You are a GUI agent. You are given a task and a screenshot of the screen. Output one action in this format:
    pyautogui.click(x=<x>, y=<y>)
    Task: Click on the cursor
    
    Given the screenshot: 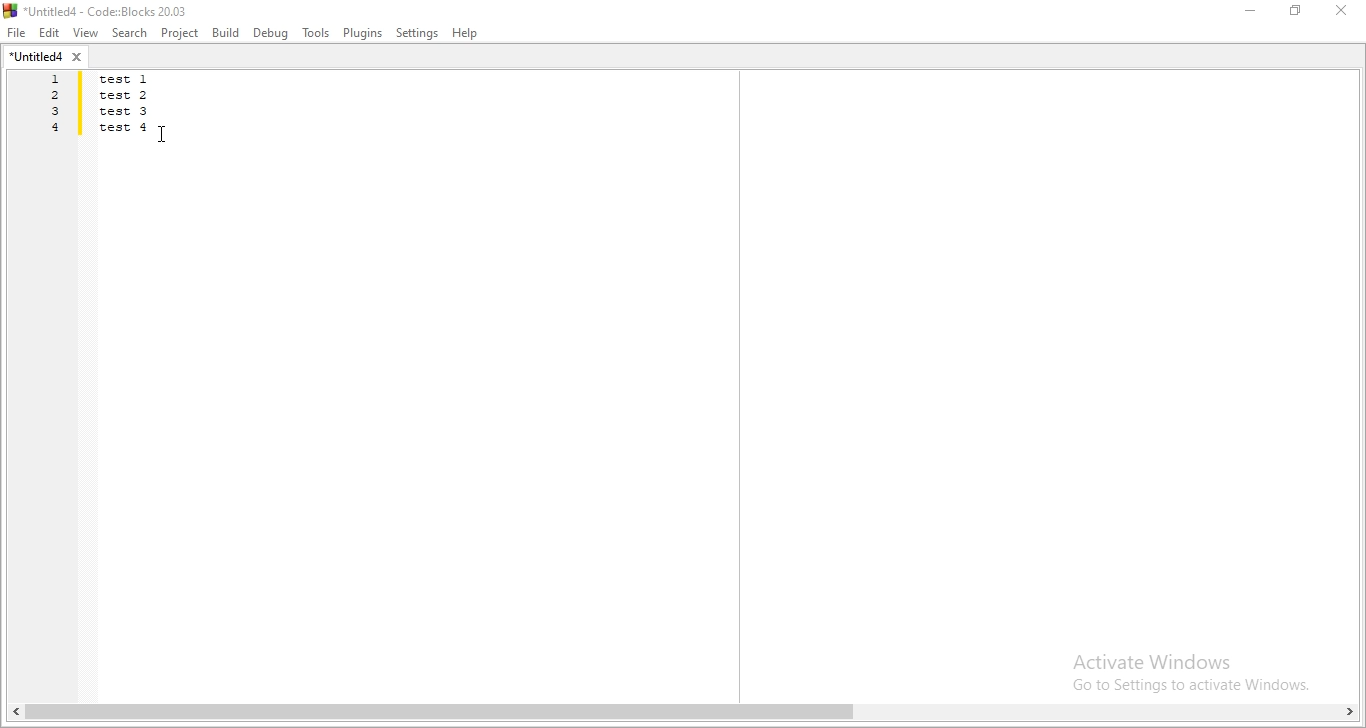 What is the action you would take?
    pyautogui.click(x=164, y=135)
    